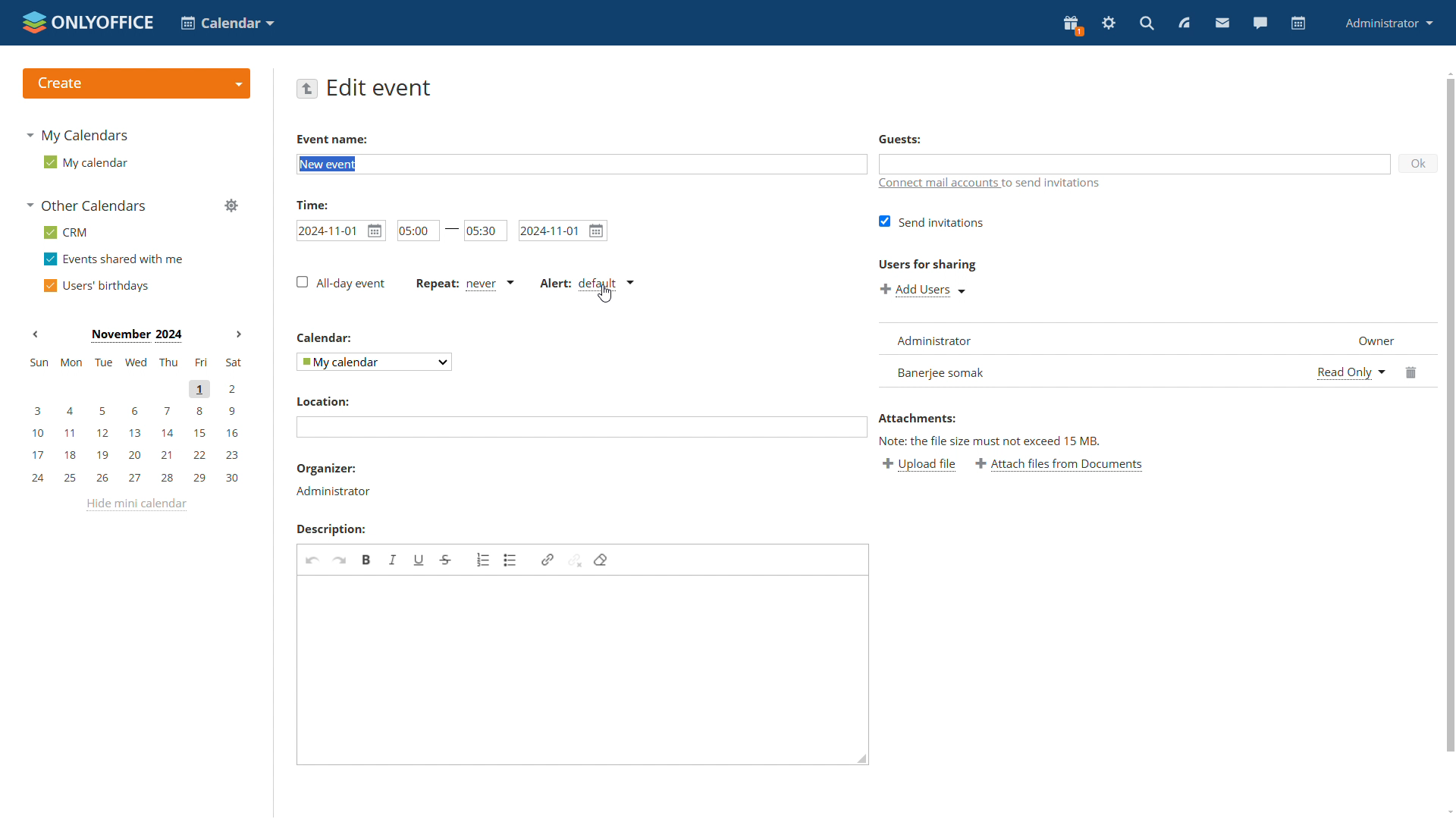 This screenshot has height=819, width=1456. What do you see at coordinates (1182, 23) in the screenshot?
I see `feed` at bounding box center [1182, 23].